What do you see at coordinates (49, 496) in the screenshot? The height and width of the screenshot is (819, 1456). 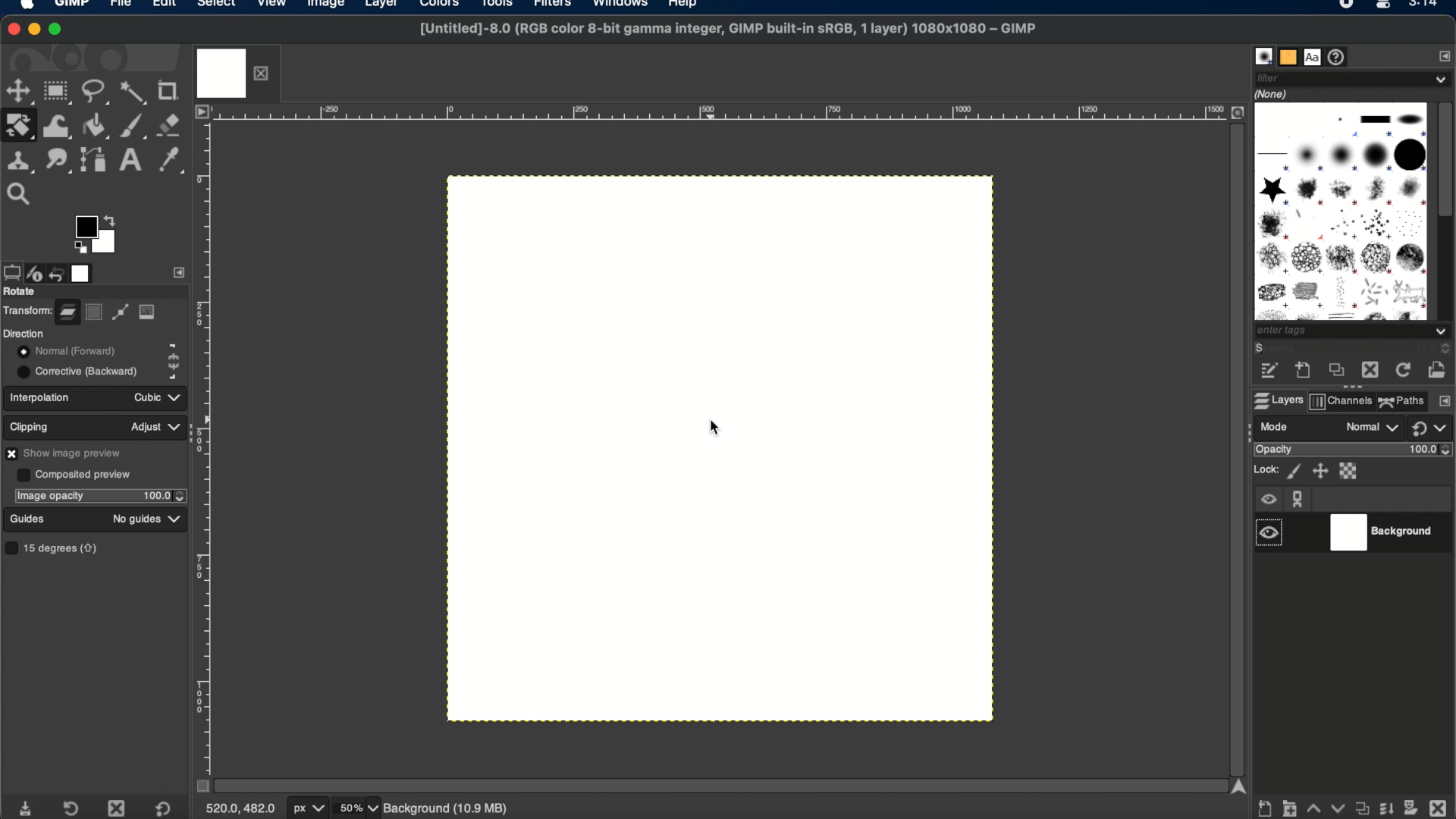 I see `image opacity` at bounding box center [49, 496].